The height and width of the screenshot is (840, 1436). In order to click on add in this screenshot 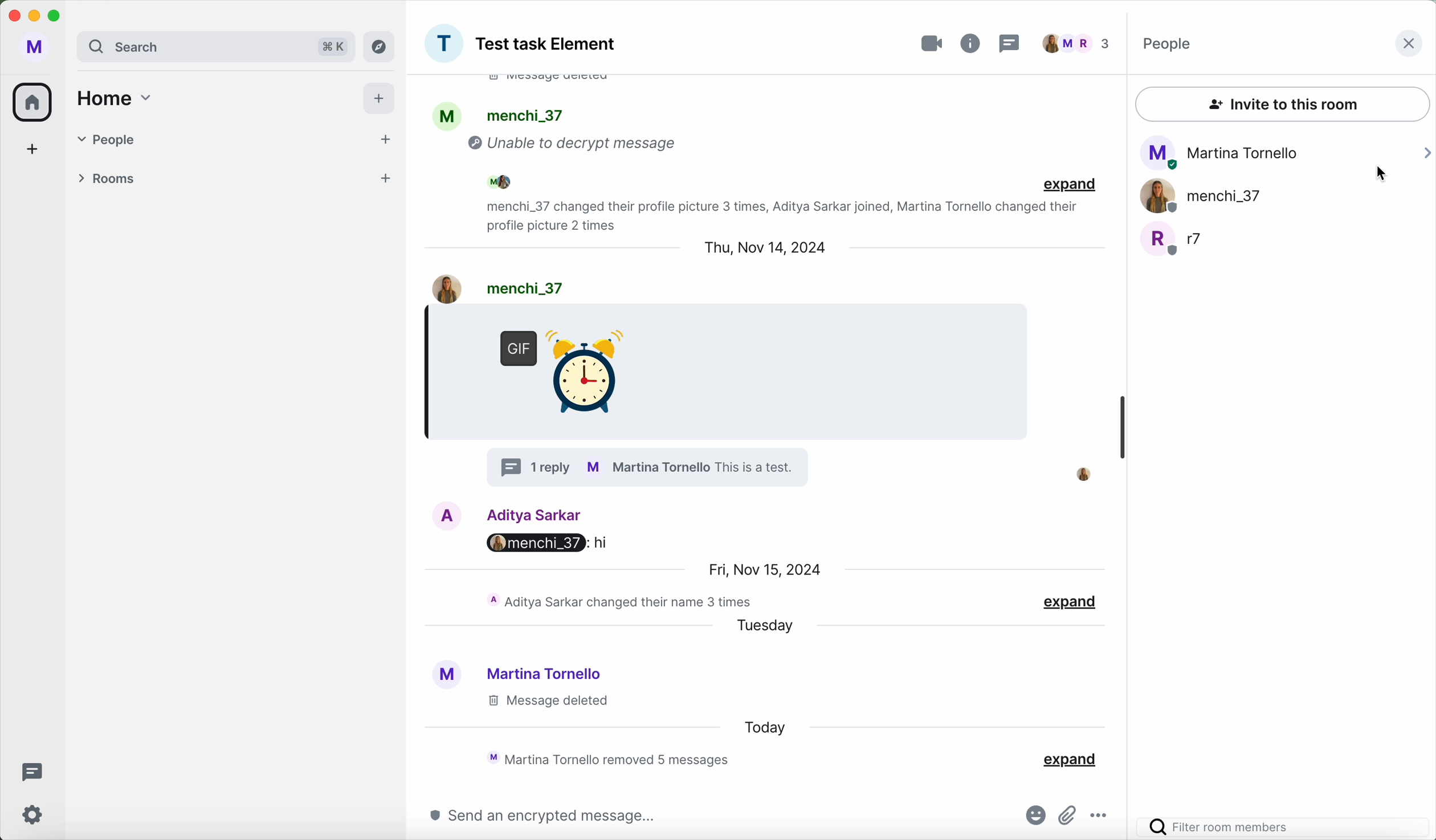, I will do `click(378, 99)`.